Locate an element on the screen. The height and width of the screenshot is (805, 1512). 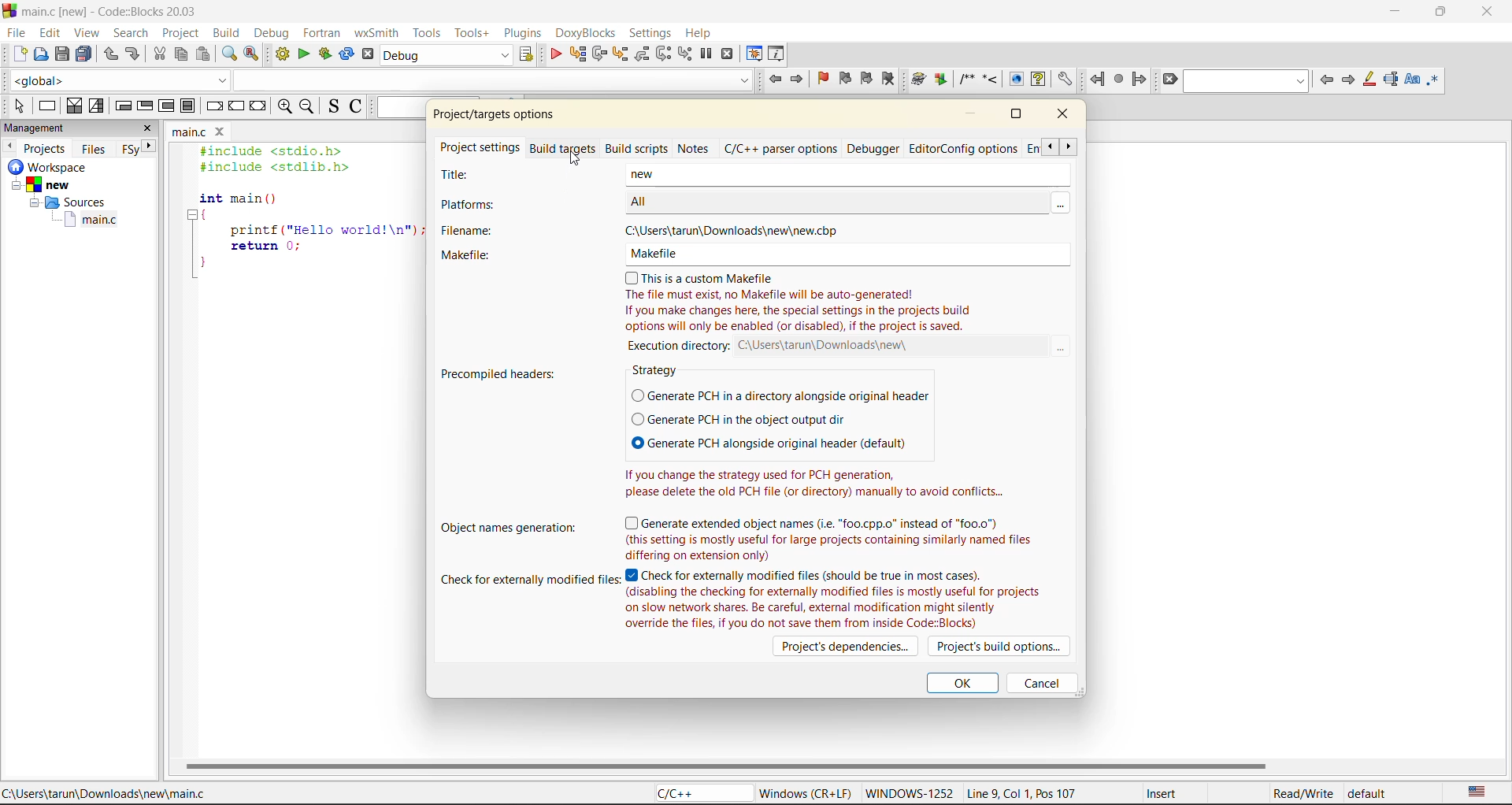
management is located at coordinates (37, 128).